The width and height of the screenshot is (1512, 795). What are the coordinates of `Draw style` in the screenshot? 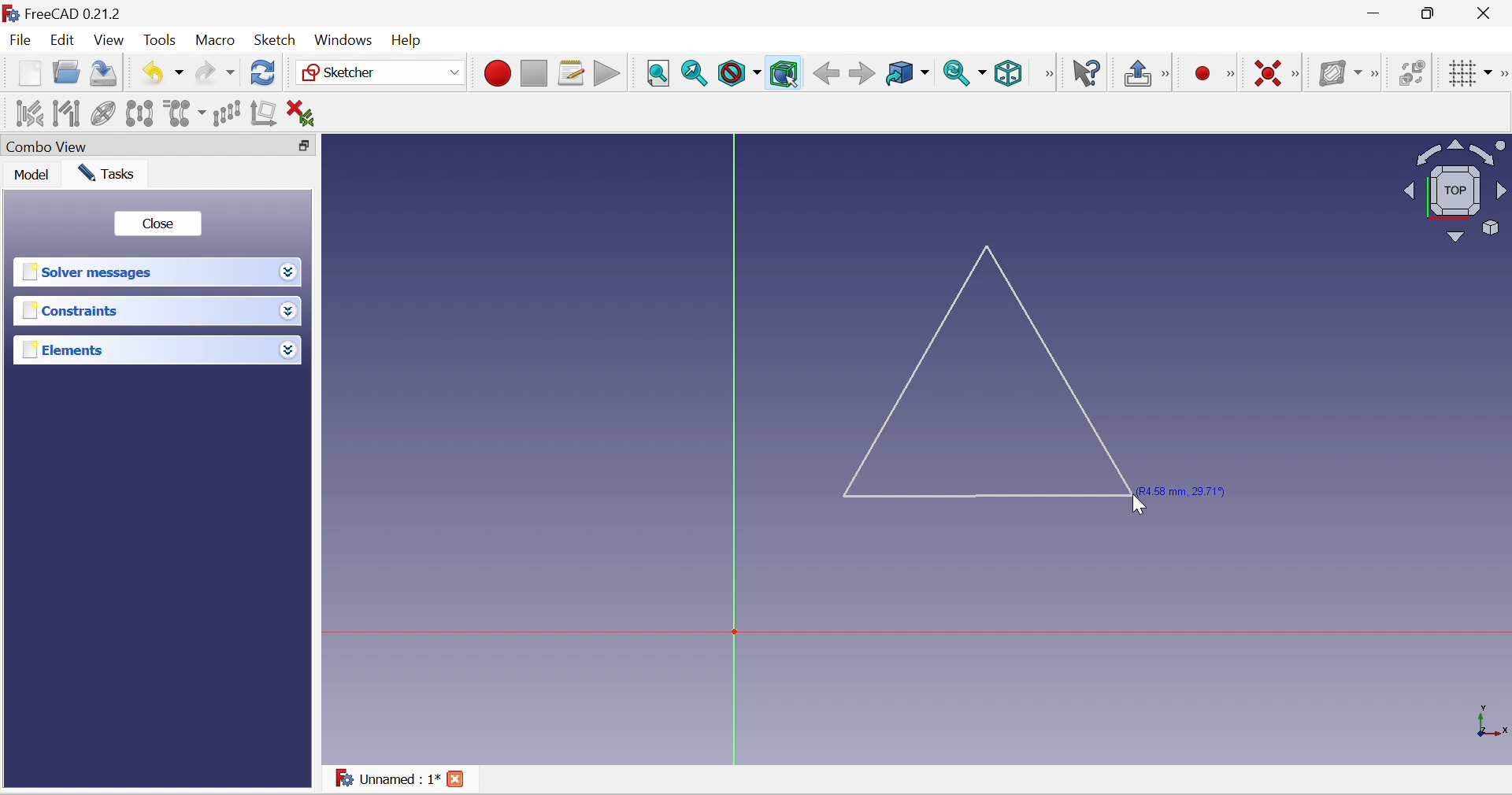 It's located at (738, 74).